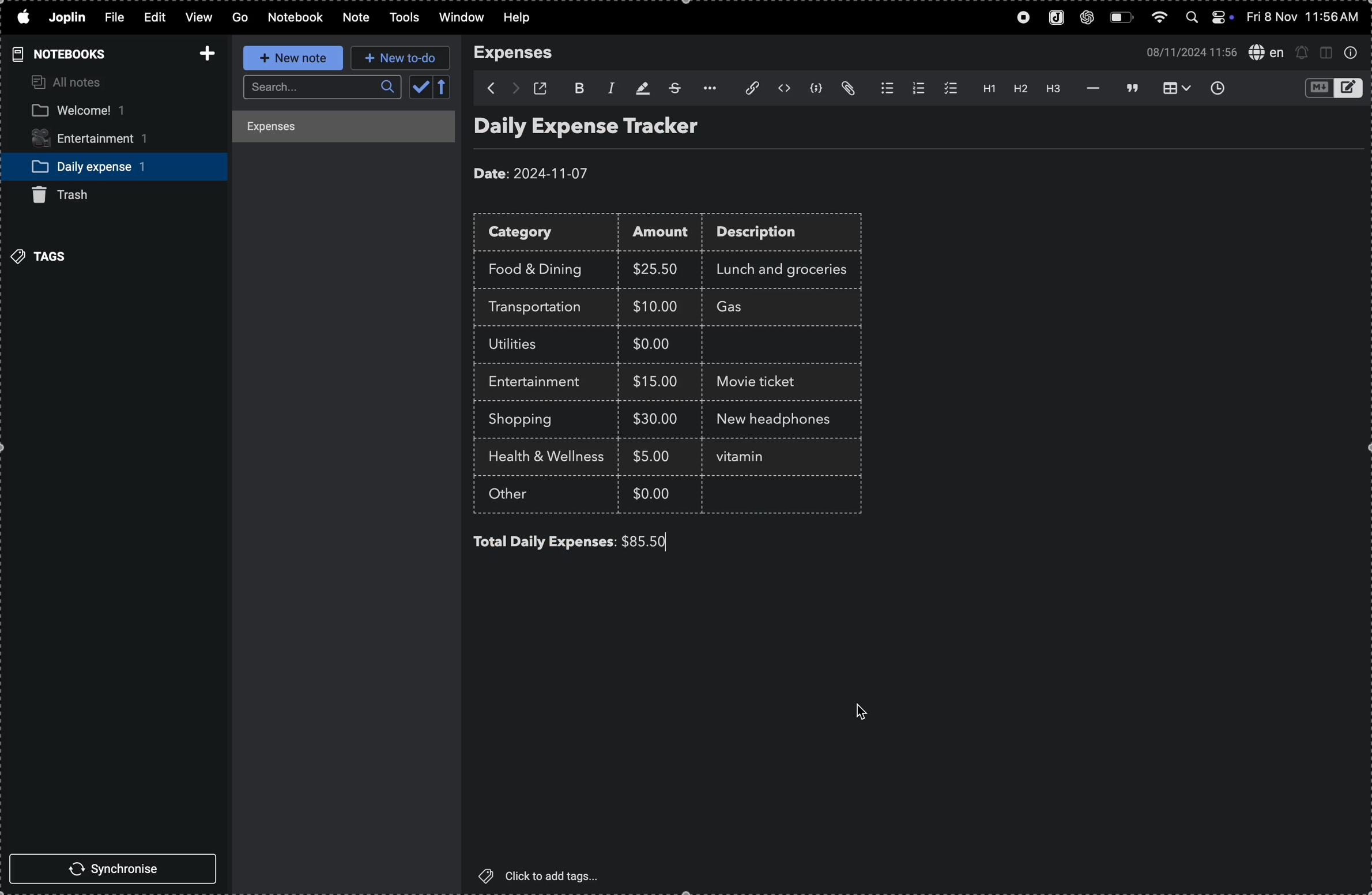 The width and height of the screenshot is (1372, 895). Describe the element at coordinates (850, 89) in the screenshot. I see `attach file` at that location.